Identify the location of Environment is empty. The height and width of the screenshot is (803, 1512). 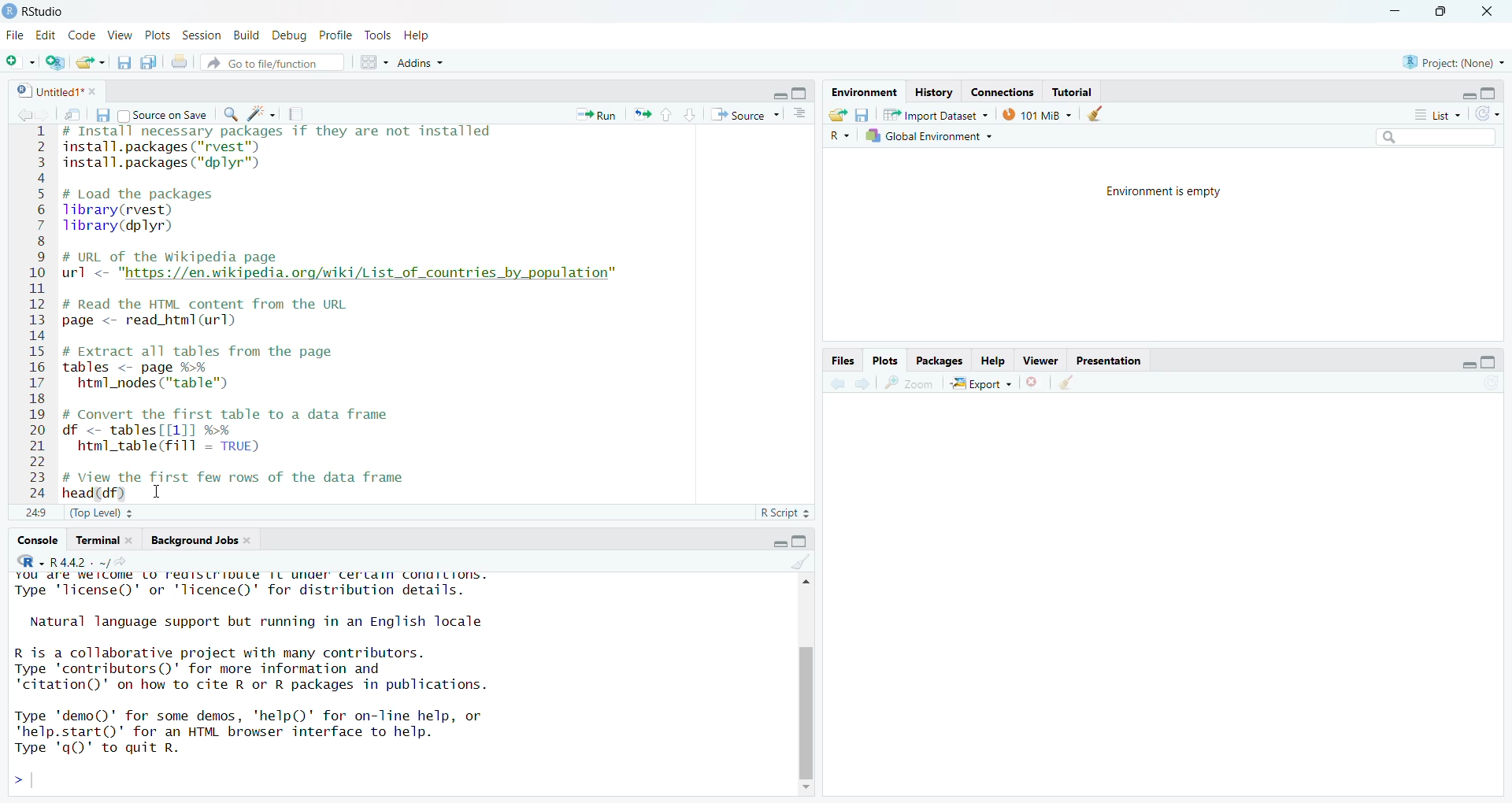
(1163, 191).